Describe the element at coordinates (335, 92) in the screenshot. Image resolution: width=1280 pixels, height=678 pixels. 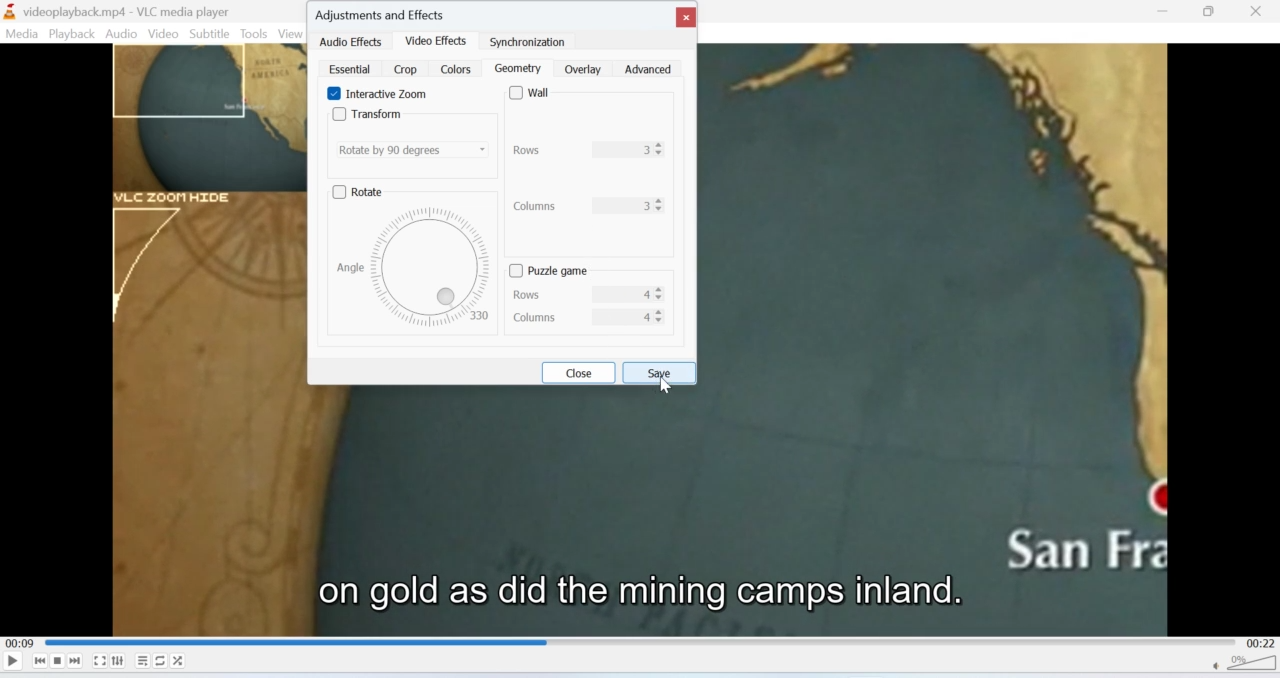
I see `Enable Interactive Zoom` at that location.